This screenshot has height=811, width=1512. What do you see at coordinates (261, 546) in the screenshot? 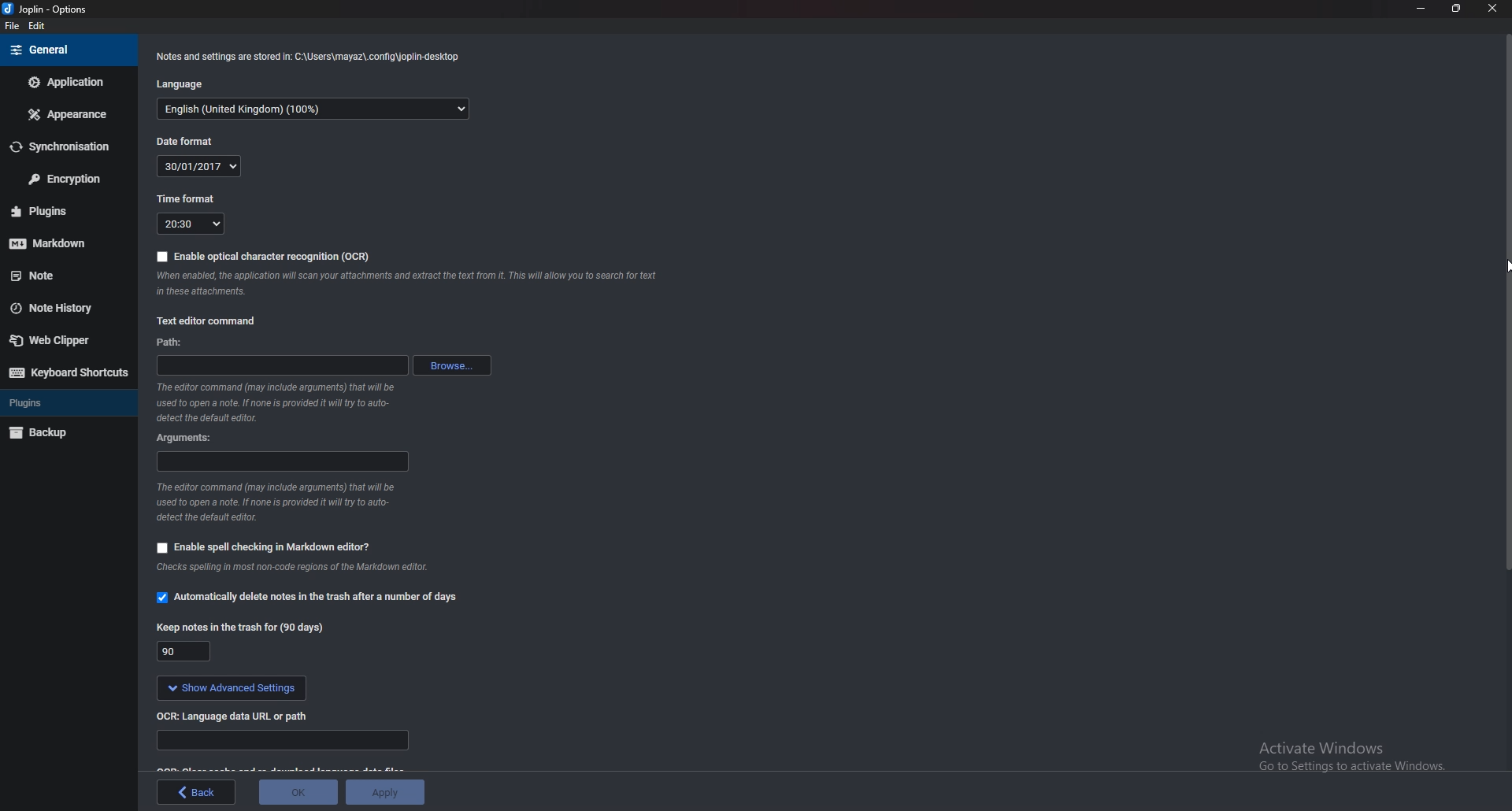
I see `Enable spell checking` at bounding box center [261, 546].